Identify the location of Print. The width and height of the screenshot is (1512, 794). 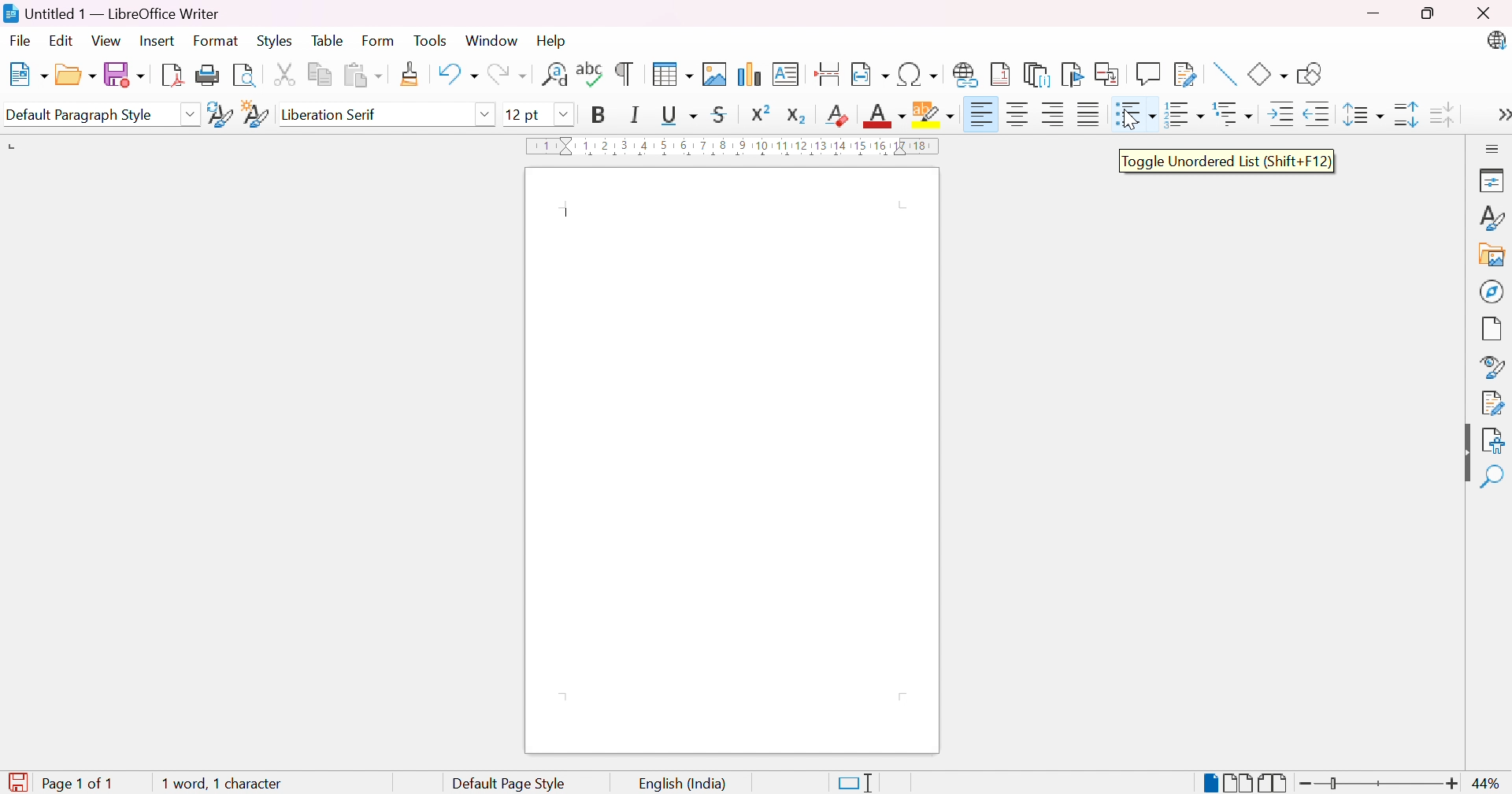
(212, 76).